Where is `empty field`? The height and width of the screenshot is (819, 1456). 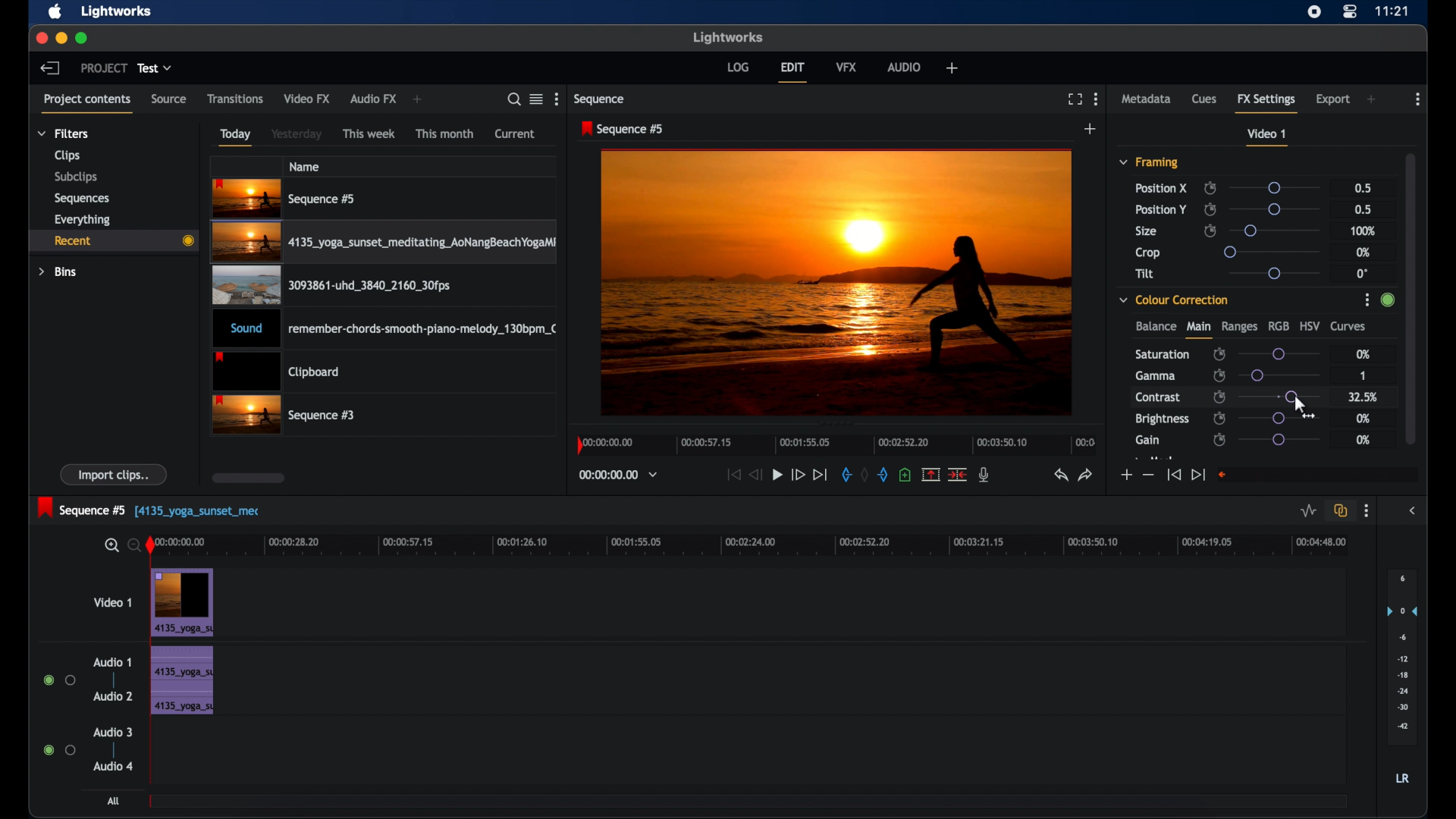 empty field is located at coordinates (1316, 475).